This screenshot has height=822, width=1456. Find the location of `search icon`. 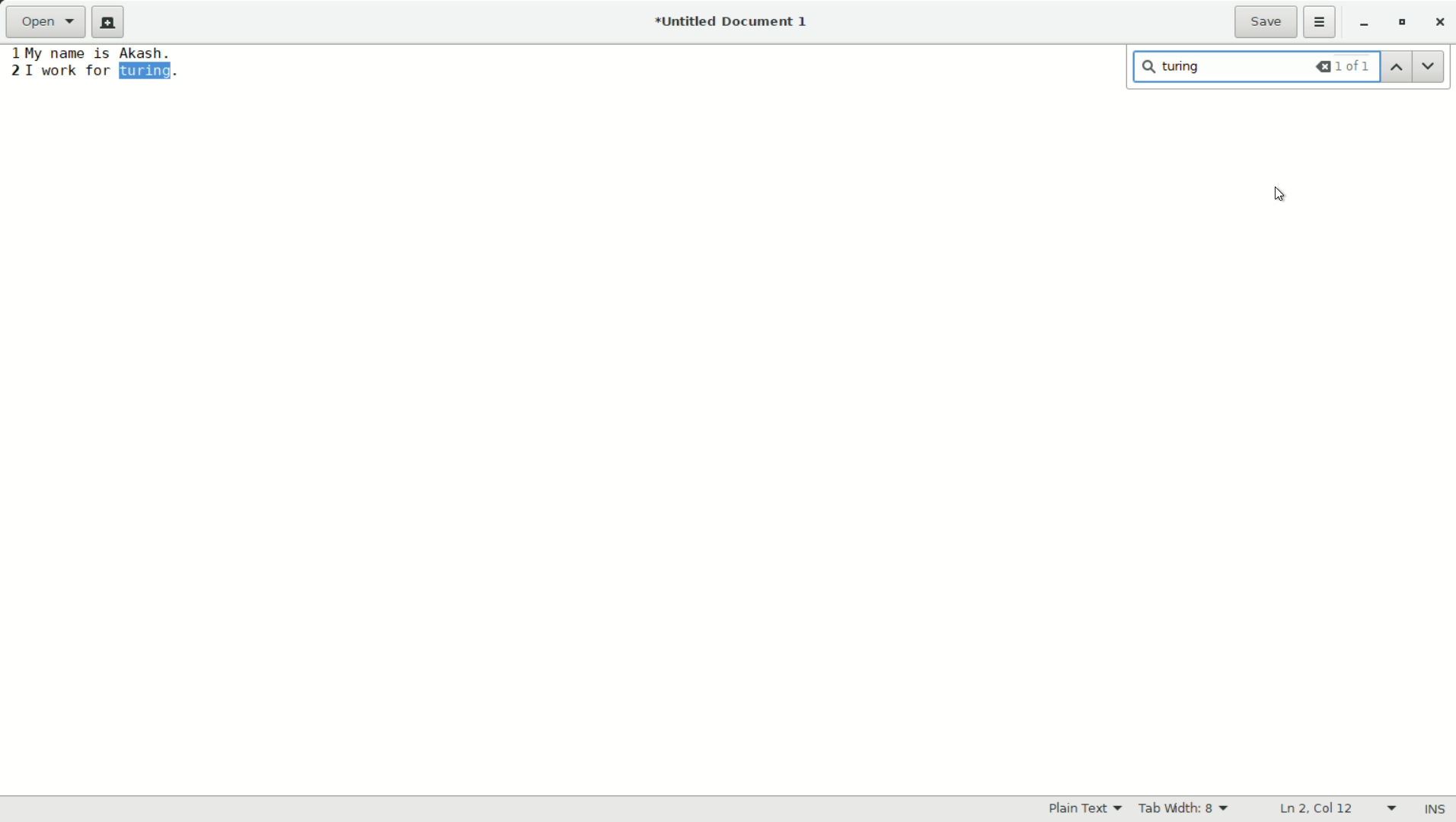

search icon is located at coordinates (1148, 67).